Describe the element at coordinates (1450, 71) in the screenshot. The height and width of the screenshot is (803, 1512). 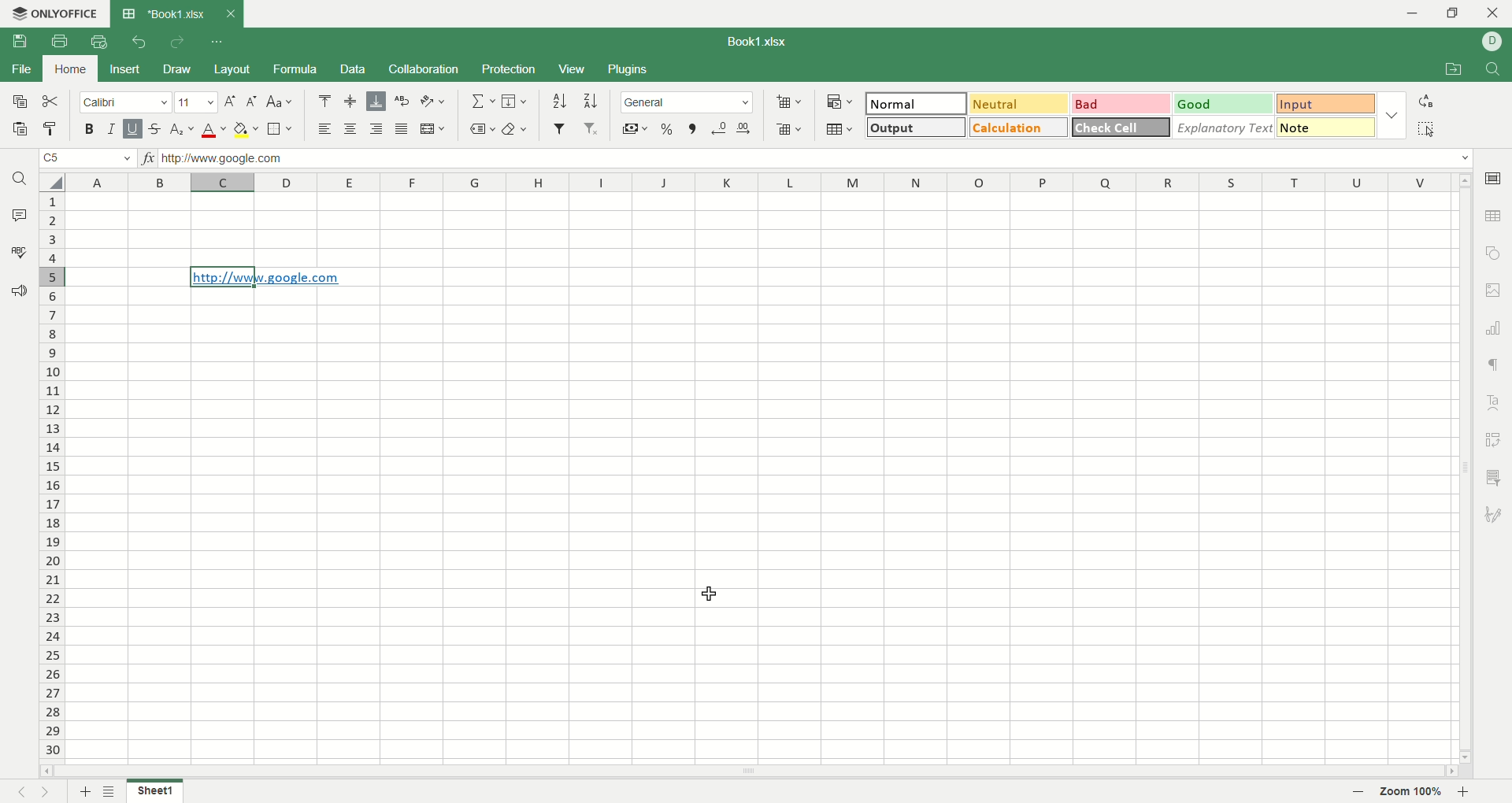
I see `open file location` at that location.